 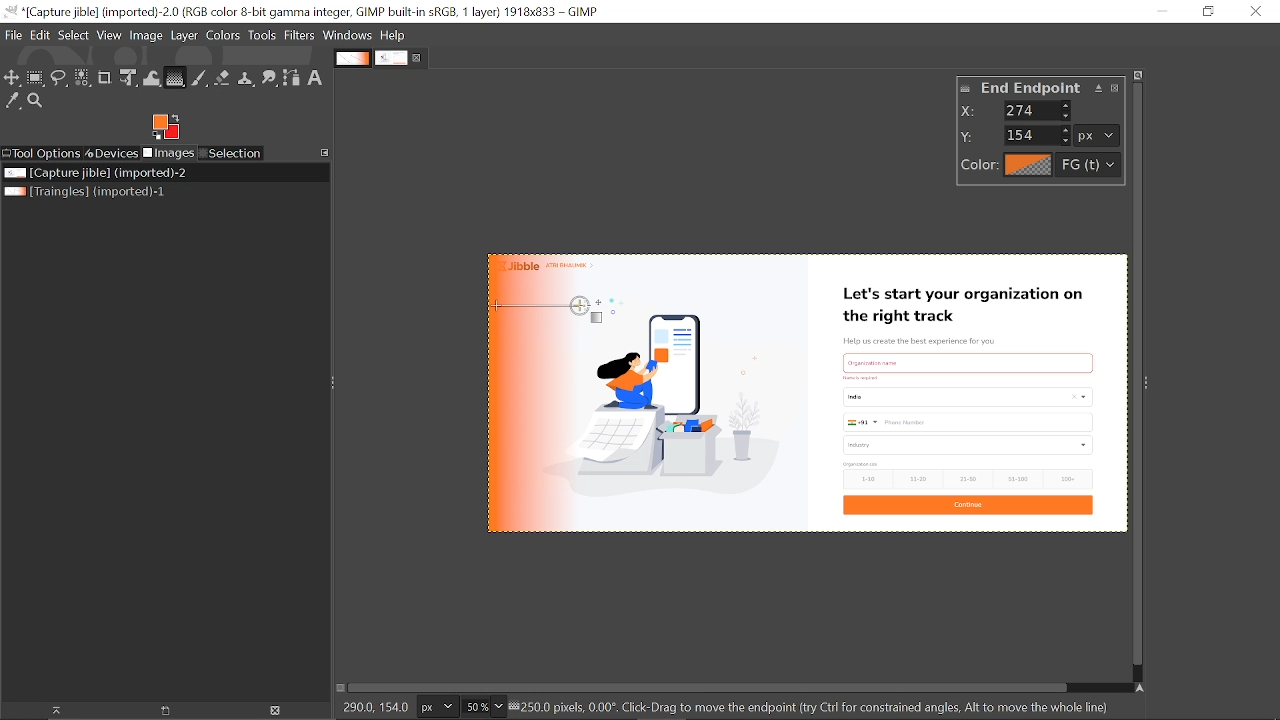 I want to click on X values, so click(x=1039, y=110).